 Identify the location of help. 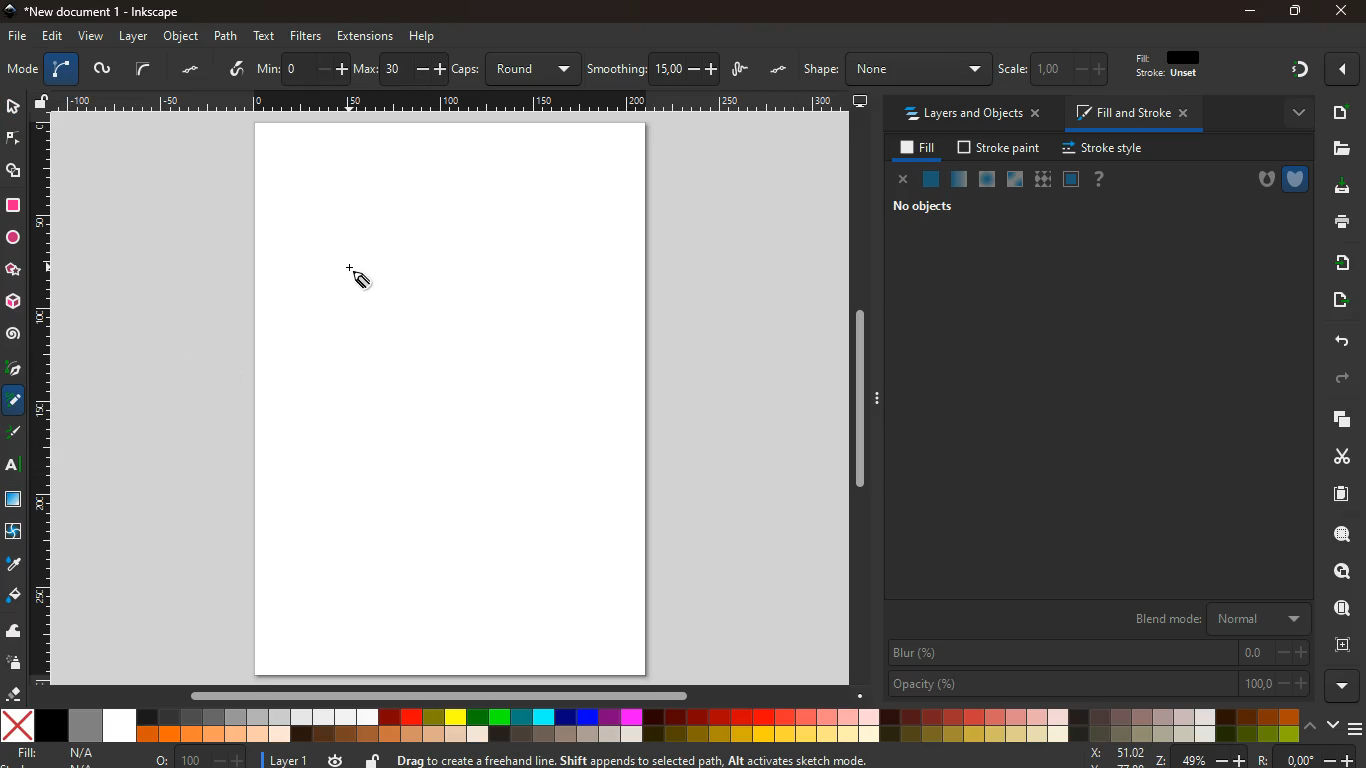
(422, 37).